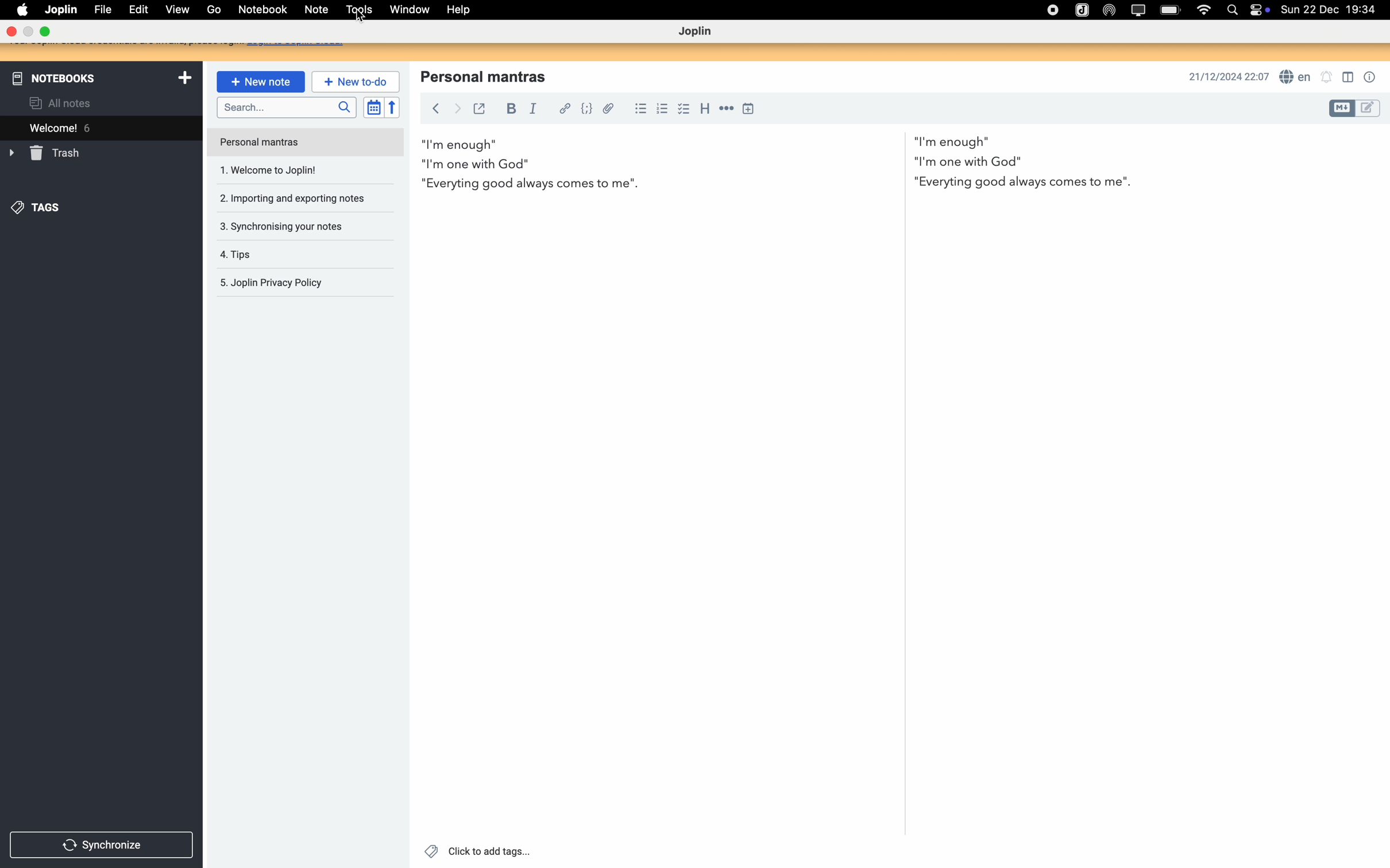 The height and width of the screenshot is (868, 1390). What do you see at coordinates (640, 108) in the screenshot?
I see `bulleted list` at bounding box center [640, 108].